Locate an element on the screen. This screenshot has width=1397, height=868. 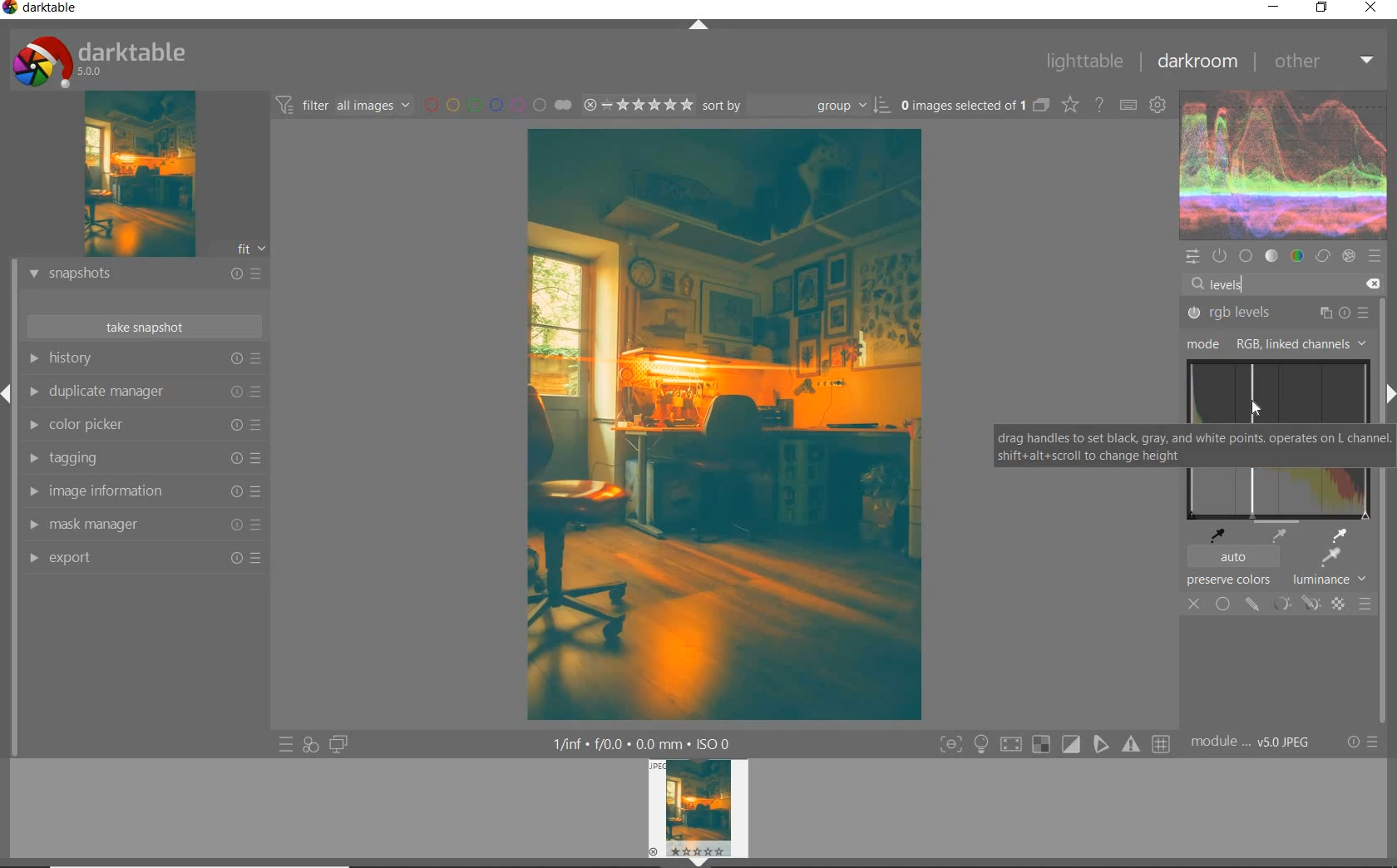
correct is located at coordinates (1323, 256).